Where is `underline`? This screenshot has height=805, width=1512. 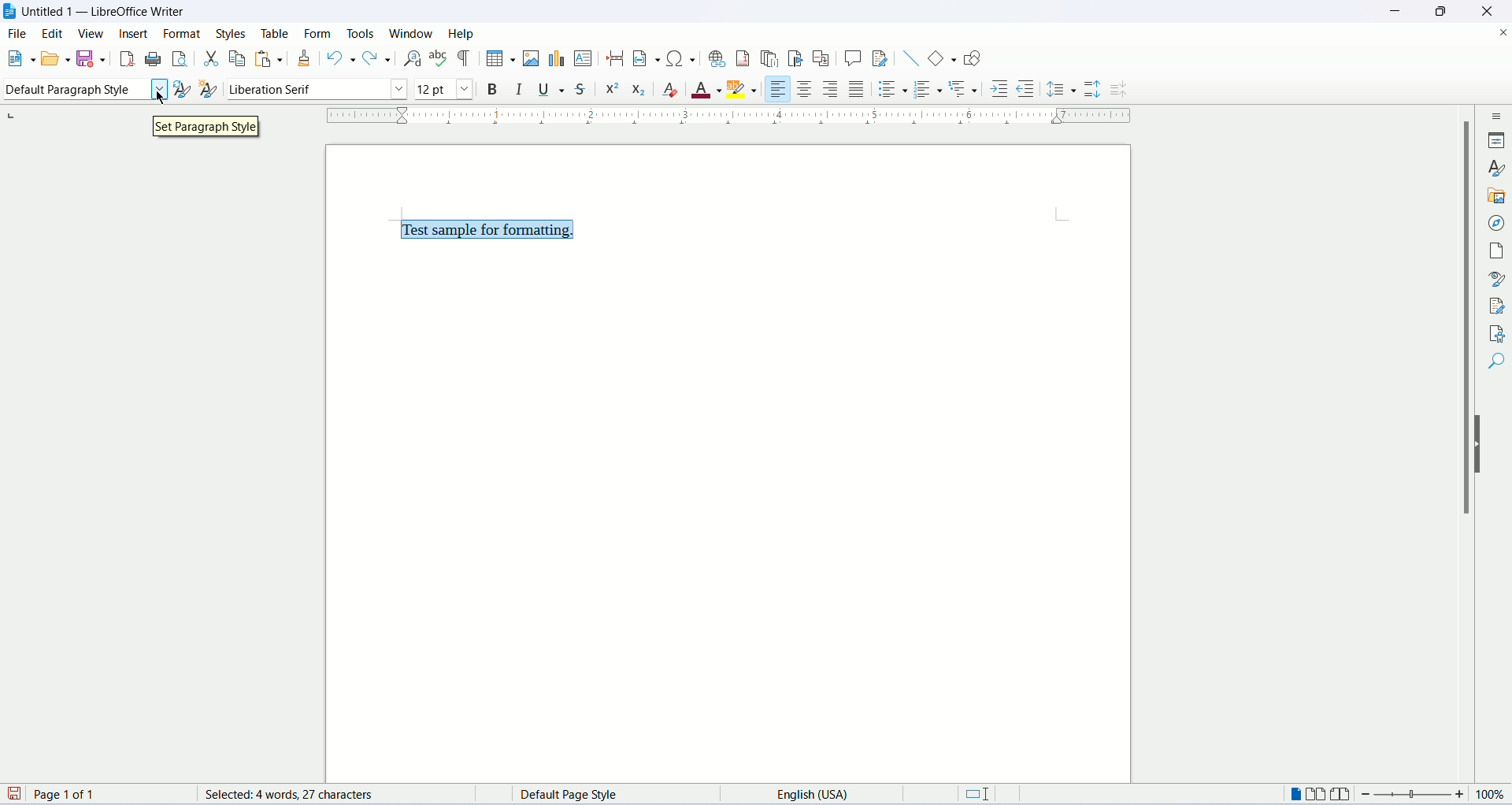 underline is located at coordinates (554, 90).